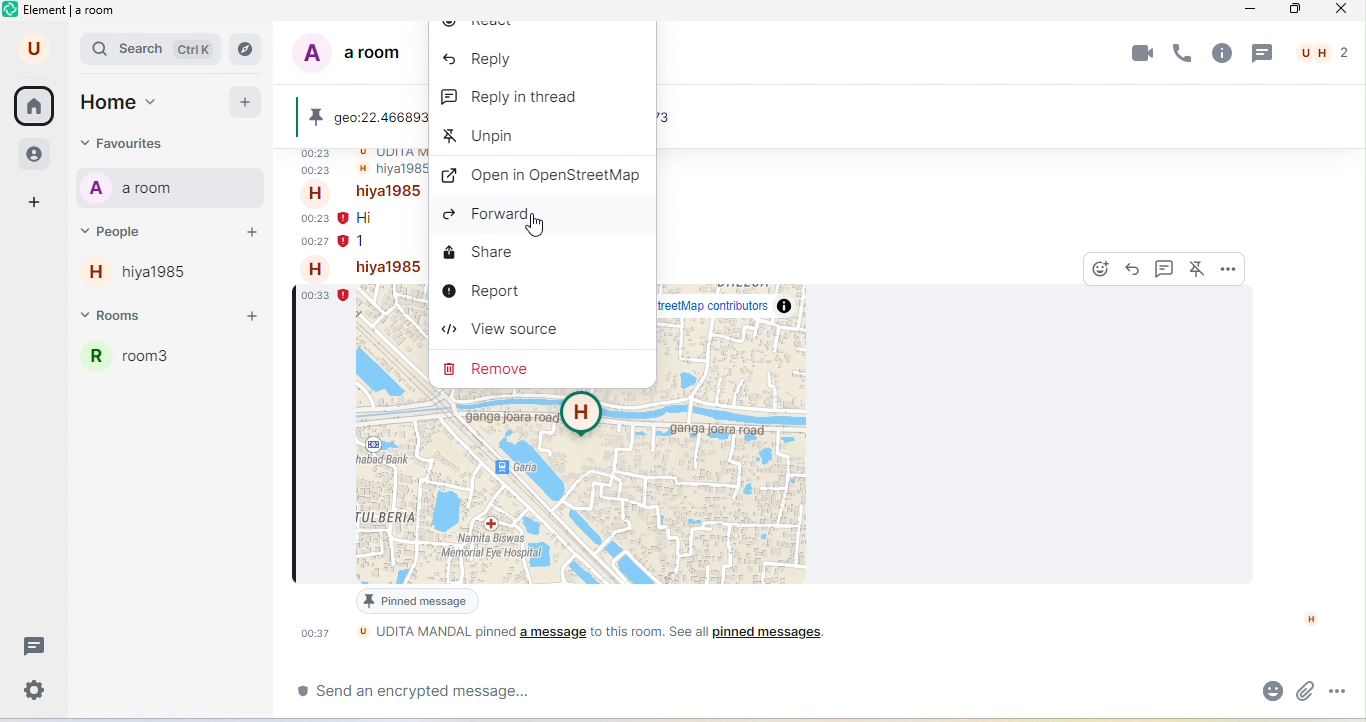 The image size is (1366, 722). Describe the element at coordinates (1135, 269) in the screenshot. I see `reply` at that location.